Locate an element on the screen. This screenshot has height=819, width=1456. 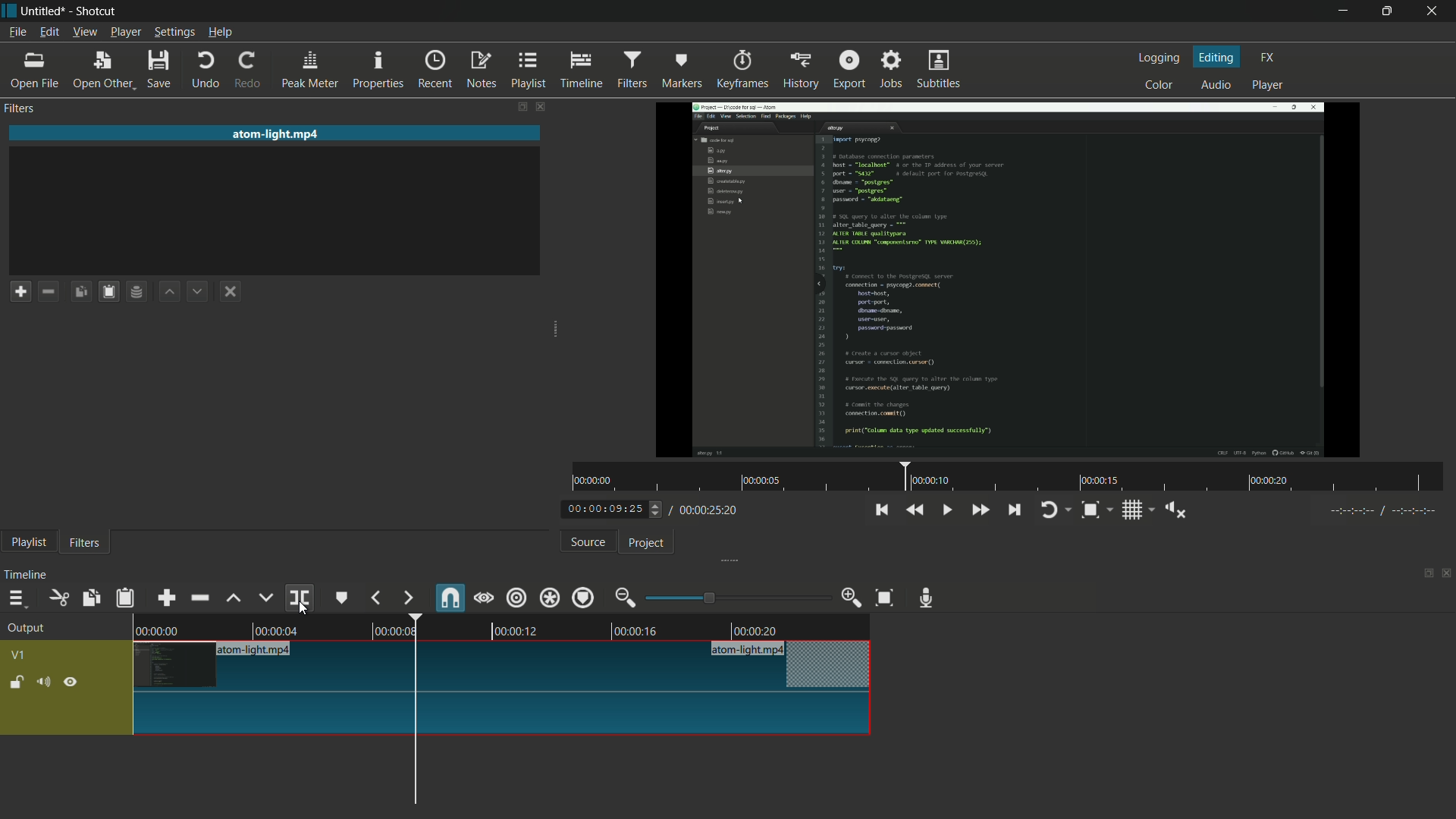
project is located at coordinates (648, 544).